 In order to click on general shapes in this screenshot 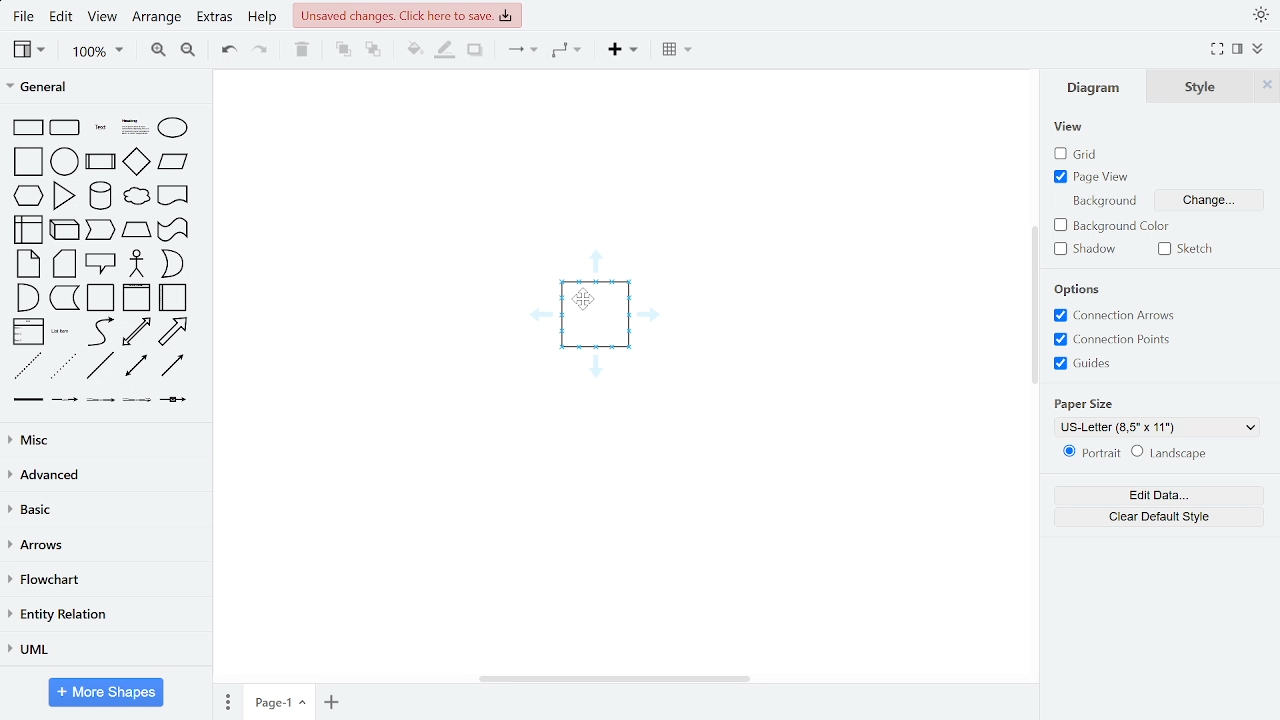, I will do `click(136, 197)`.